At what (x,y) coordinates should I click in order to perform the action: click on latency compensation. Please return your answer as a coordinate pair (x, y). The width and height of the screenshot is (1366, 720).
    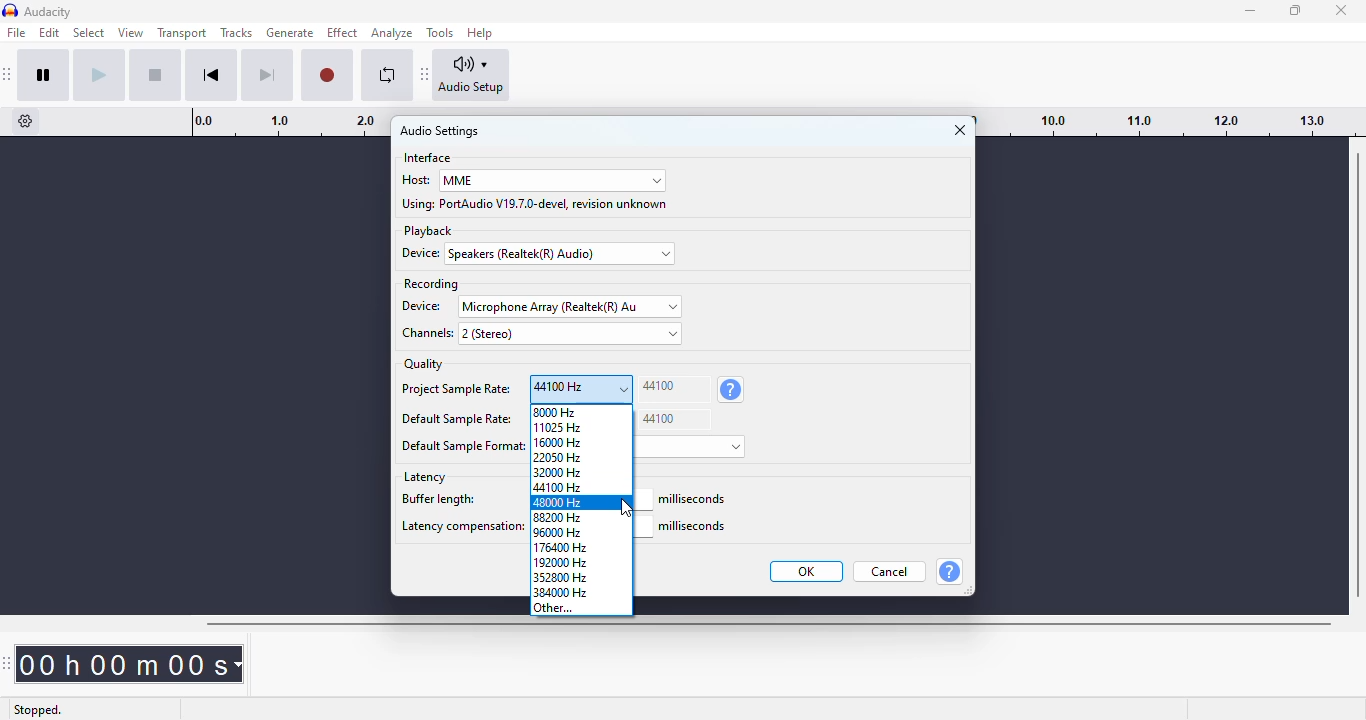
    Looking at the image, I should click on (461, 528).